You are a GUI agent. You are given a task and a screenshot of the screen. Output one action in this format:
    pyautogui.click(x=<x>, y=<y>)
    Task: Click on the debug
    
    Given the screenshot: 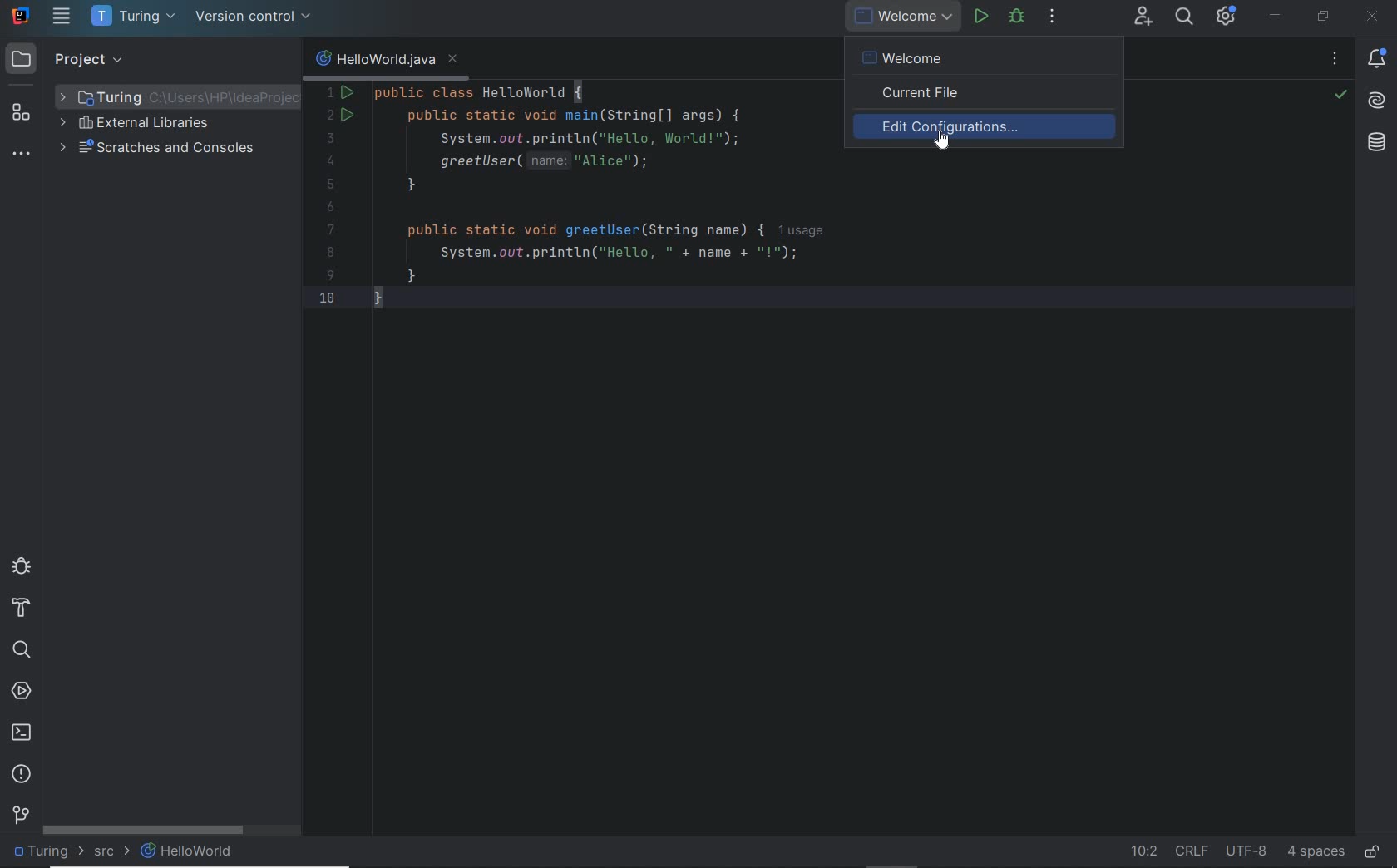 What is the action you would take?
    pyautogui.click(x=21, y=565)
    